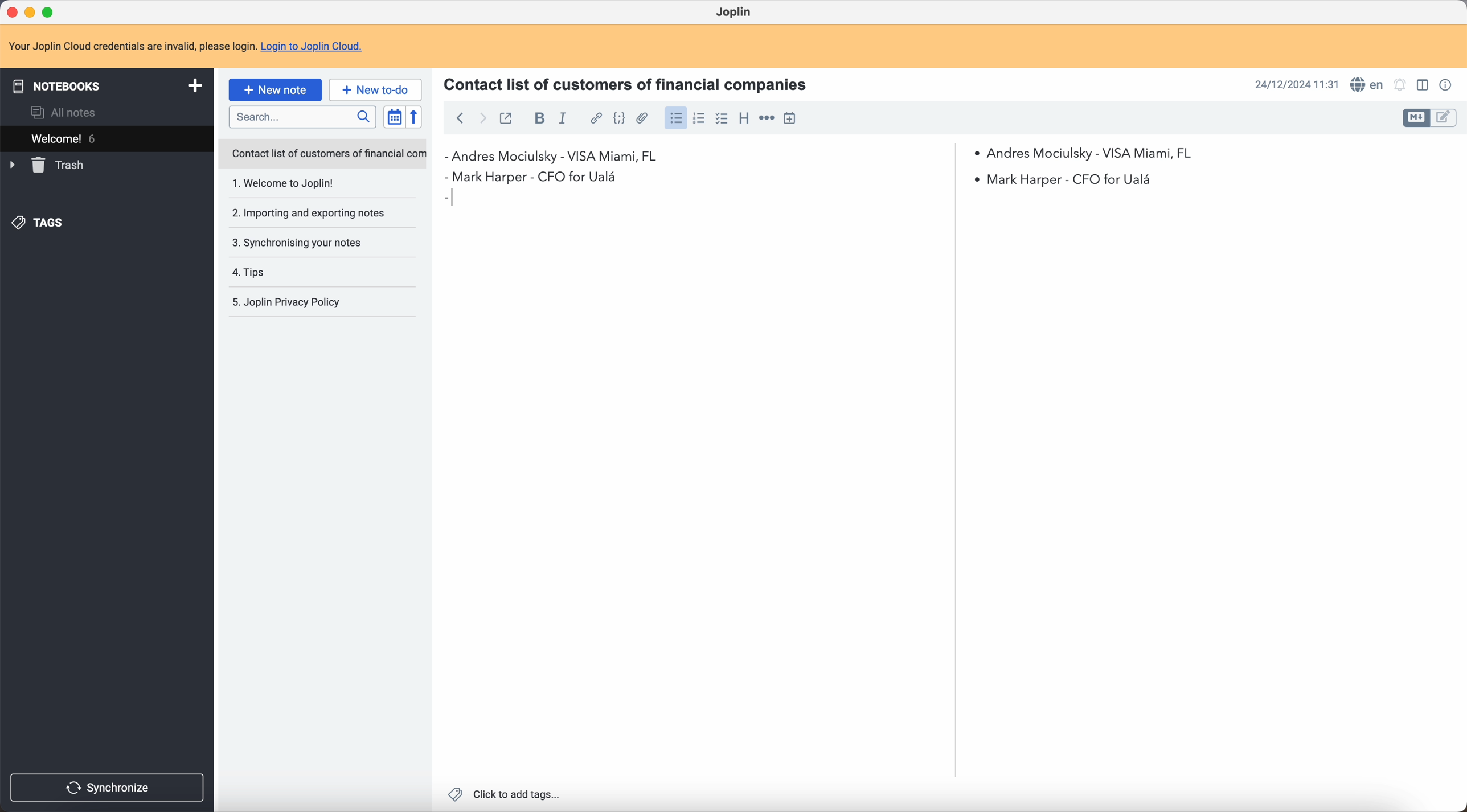 This screenshot has width=1467, height=812. I want to click on foward, so click(483, 119).